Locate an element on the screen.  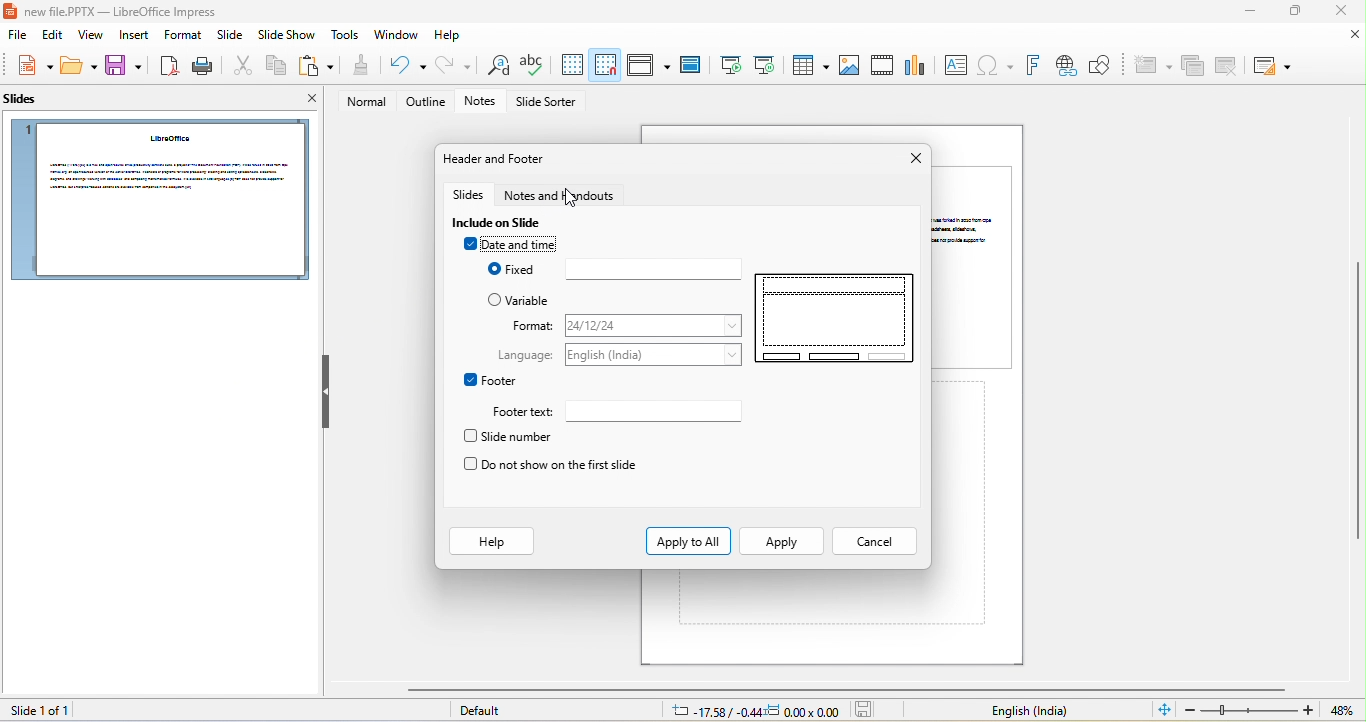
special character is located at coordinates (995, 66).